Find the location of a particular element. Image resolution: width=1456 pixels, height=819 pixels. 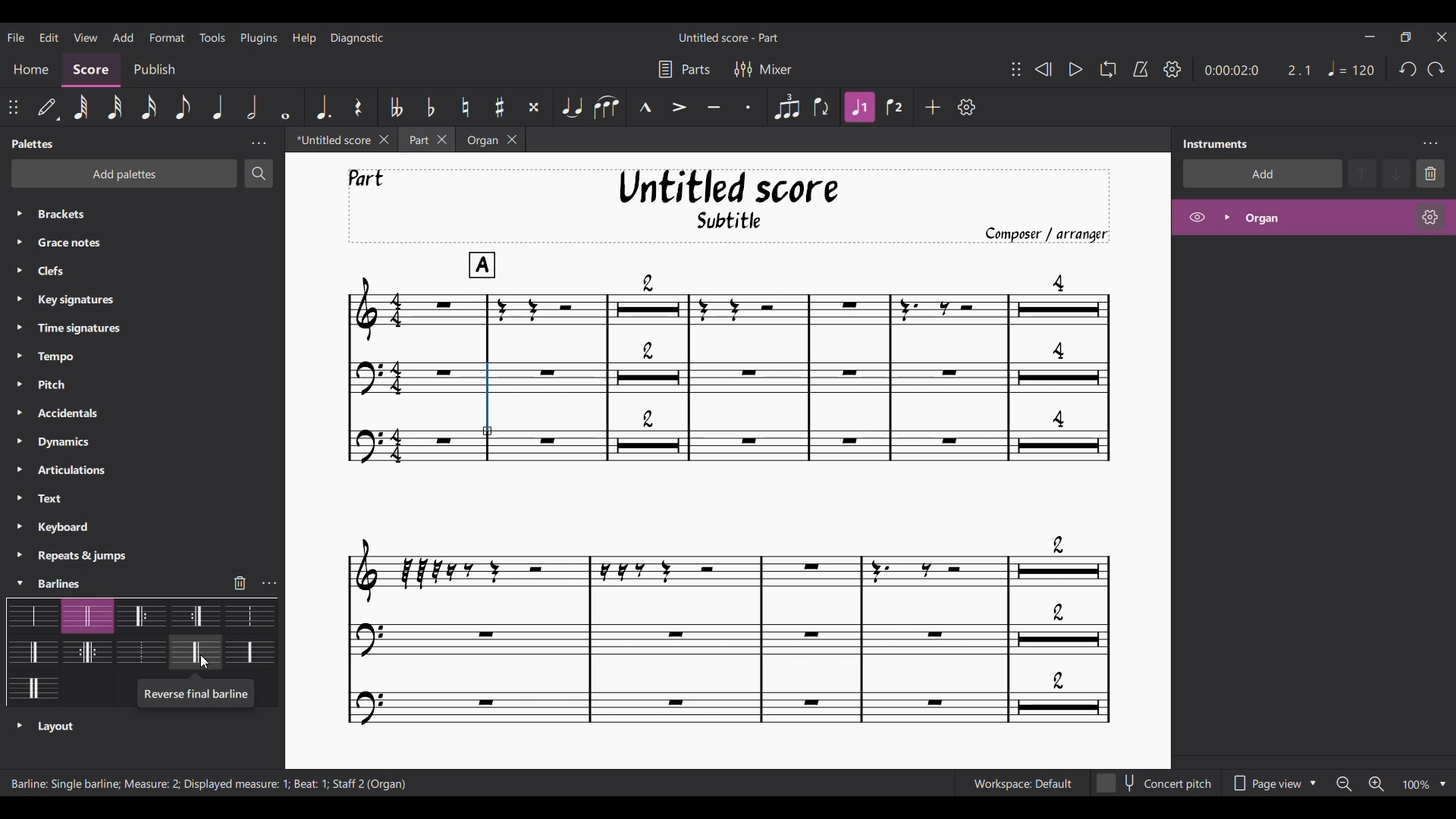

Expand organ is located at coordinates (1227, 217).